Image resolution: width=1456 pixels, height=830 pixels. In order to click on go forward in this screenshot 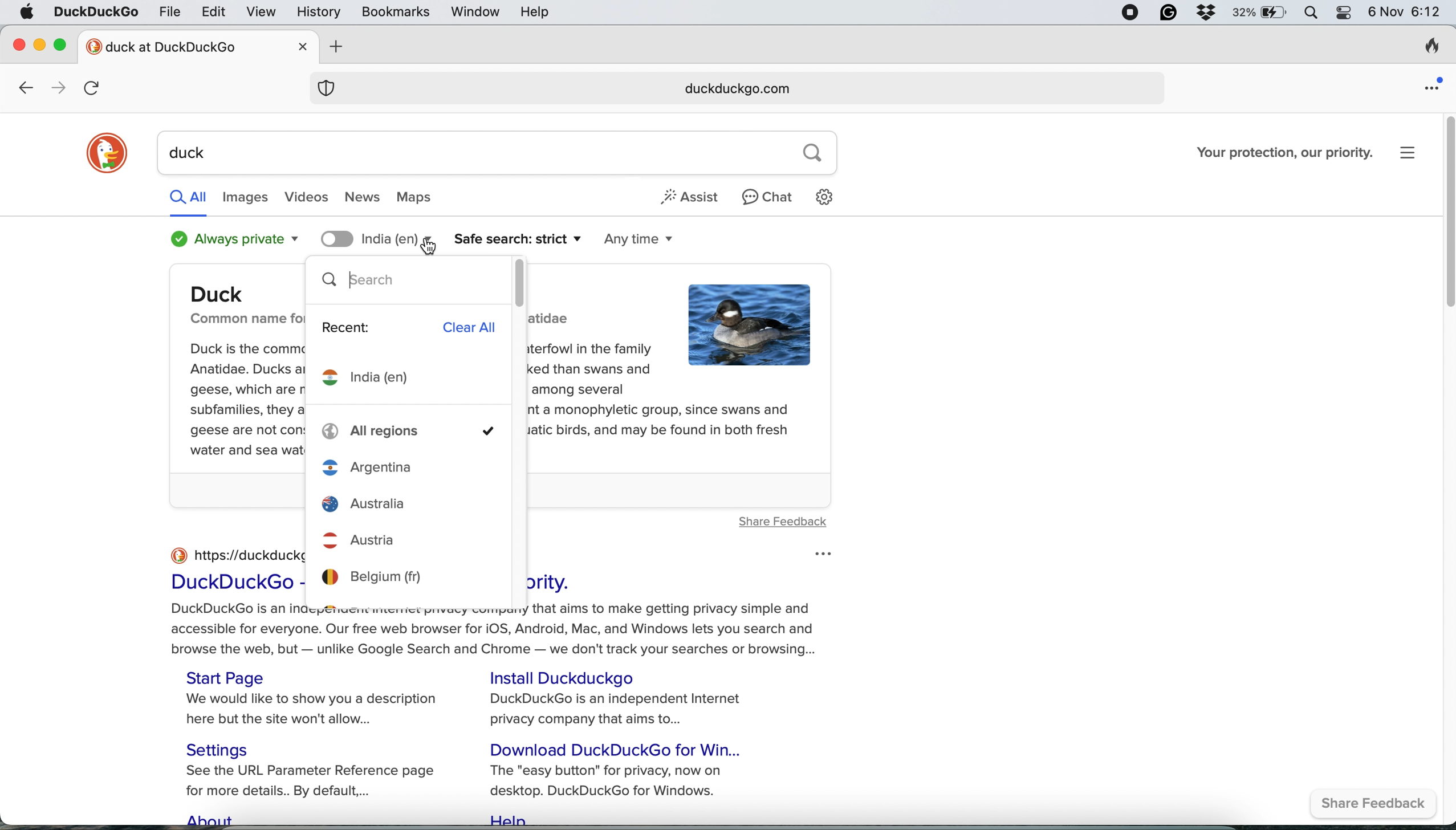, I will do `click(55, 88)`.